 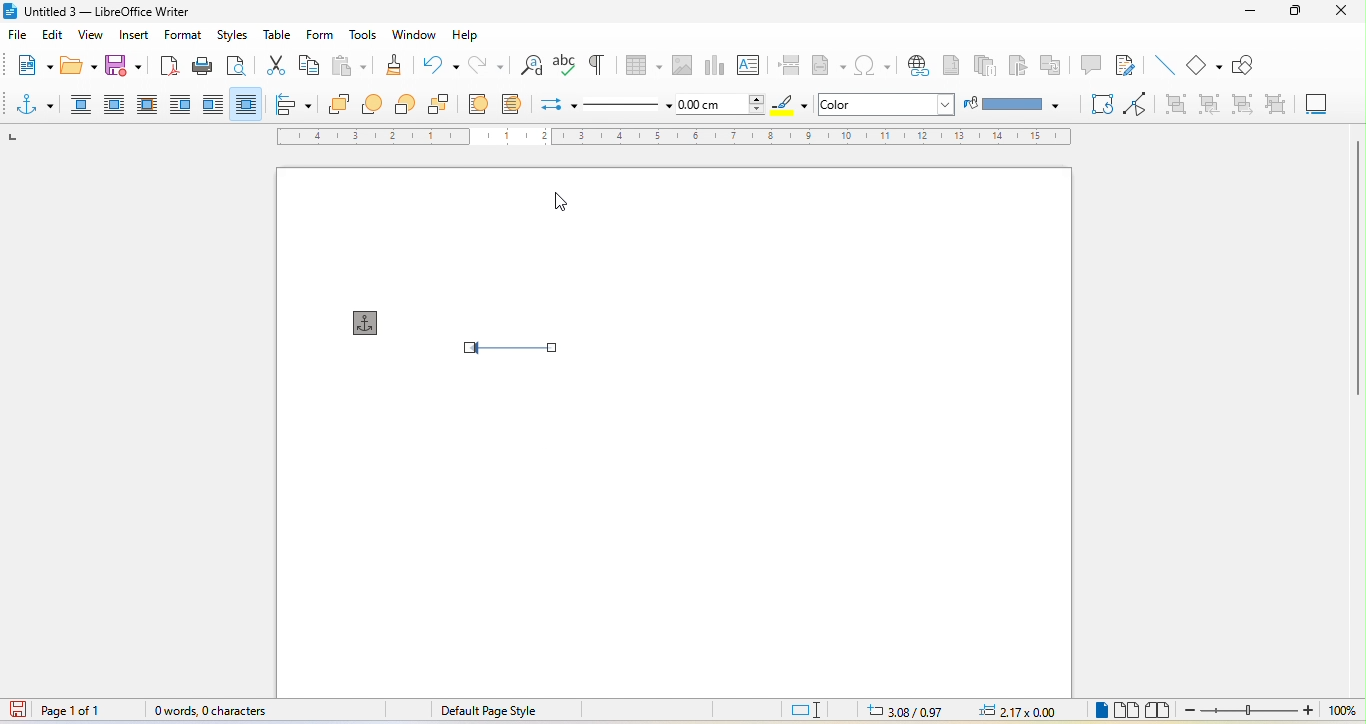 What do you see at coordinates (1142, 103) in the screenshot?
I see `toggle point edit mode` at bounding box center [1142, 103].